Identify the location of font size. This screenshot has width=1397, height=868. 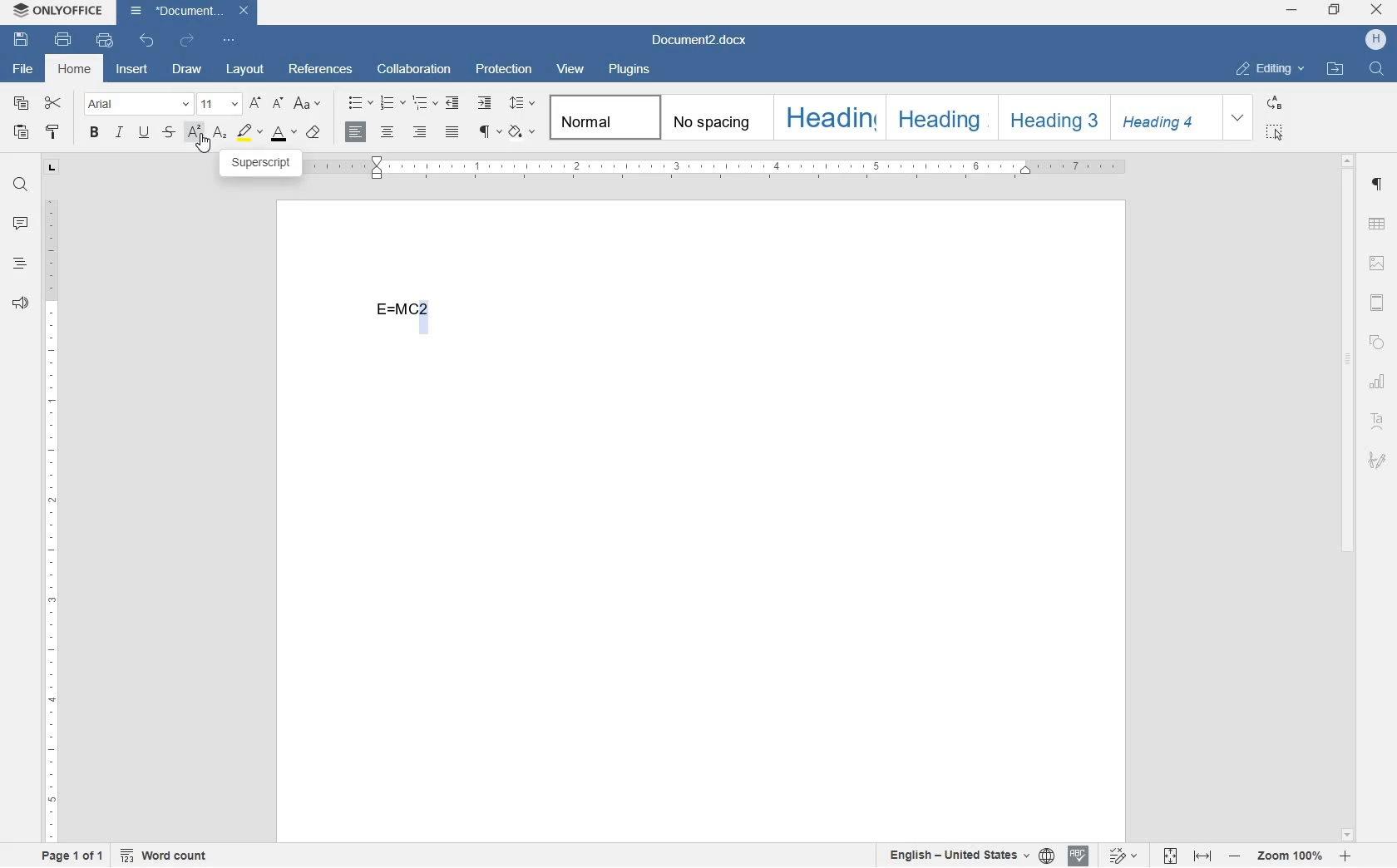
(220, 104).